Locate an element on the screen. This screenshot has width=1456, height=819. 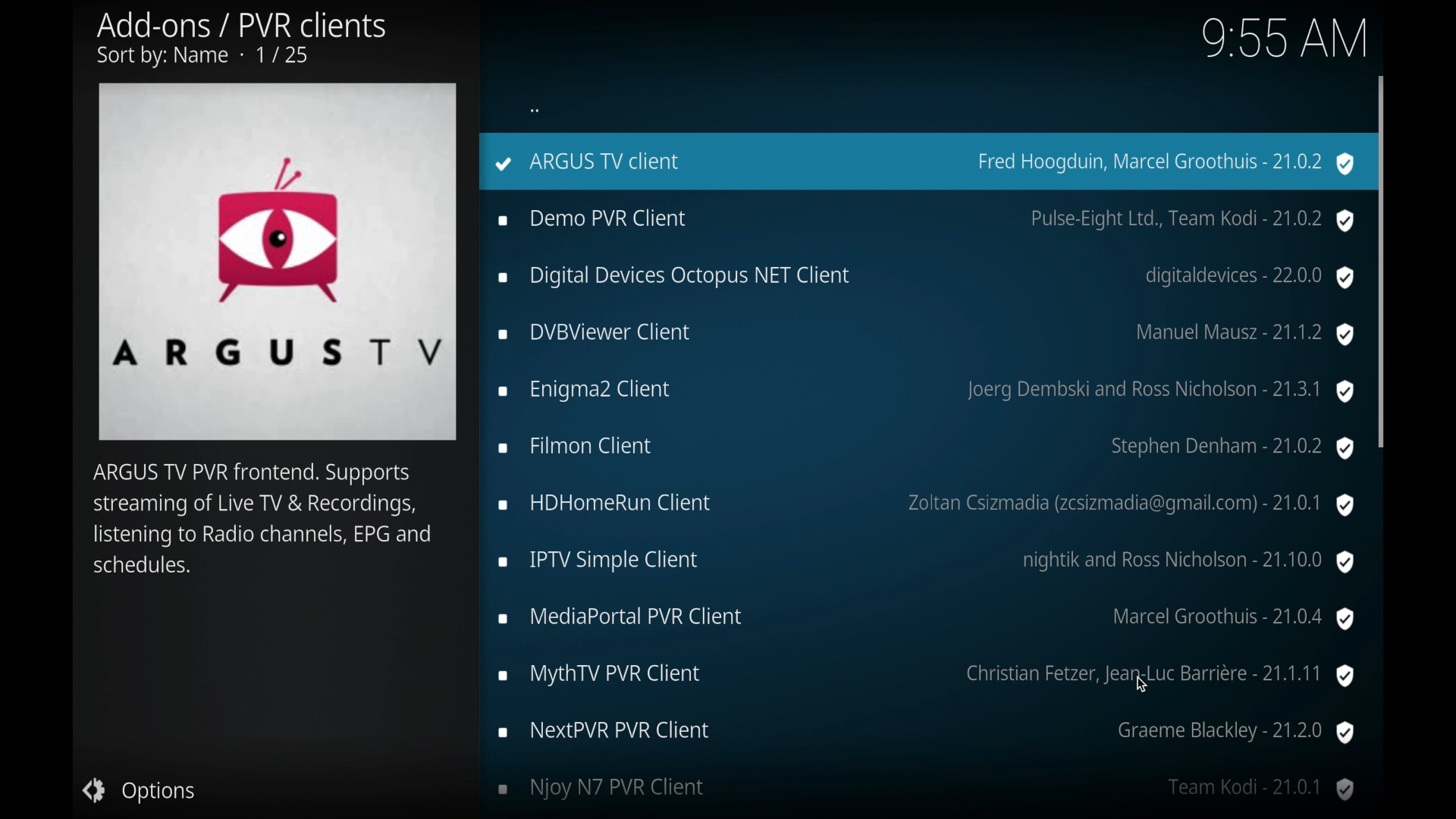
argus tv icon is located at coordinates (278, 262).